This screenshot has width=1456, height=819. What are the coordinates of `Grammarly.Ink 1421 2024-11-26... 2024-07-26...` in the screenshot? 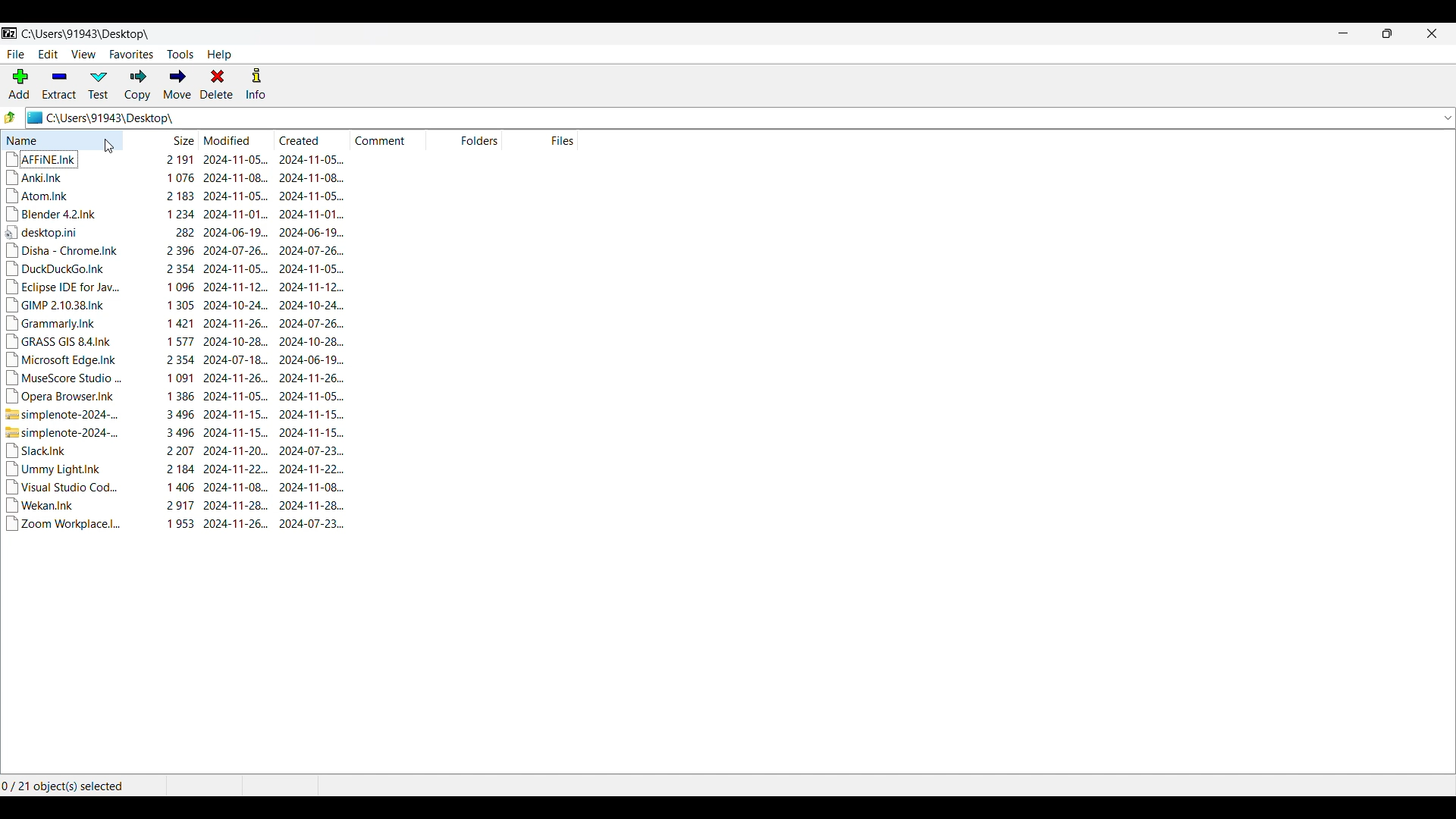 It's located at (174, 323).